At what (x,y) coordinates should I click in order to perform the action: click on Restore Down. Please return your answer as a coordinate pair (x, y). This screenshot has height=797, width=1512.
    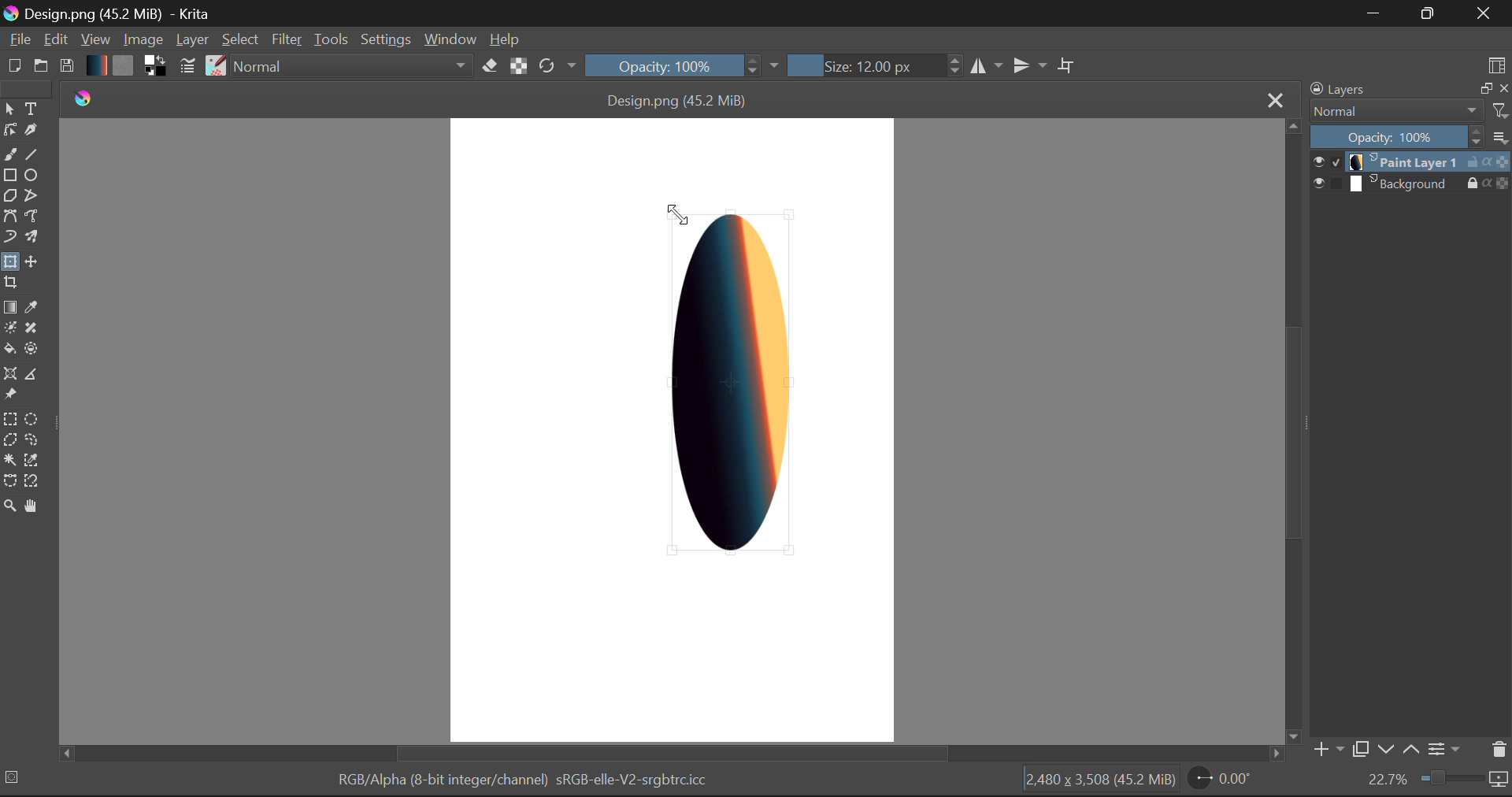
    Looking at the image, I should click on (1371, 13).